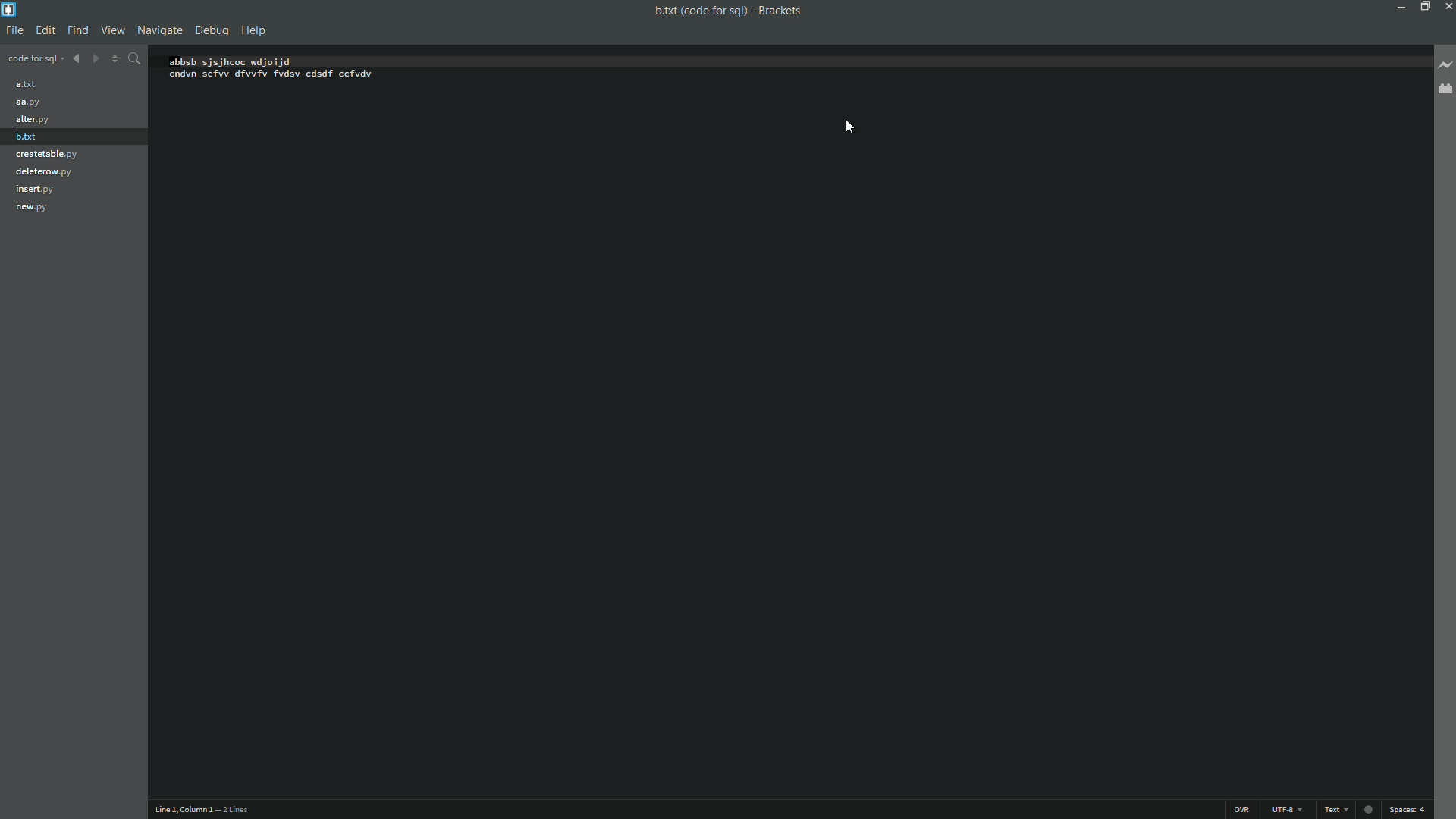 This screenshot has height=819, width=1456. I want to click on extension manager, so click(1445, 92).